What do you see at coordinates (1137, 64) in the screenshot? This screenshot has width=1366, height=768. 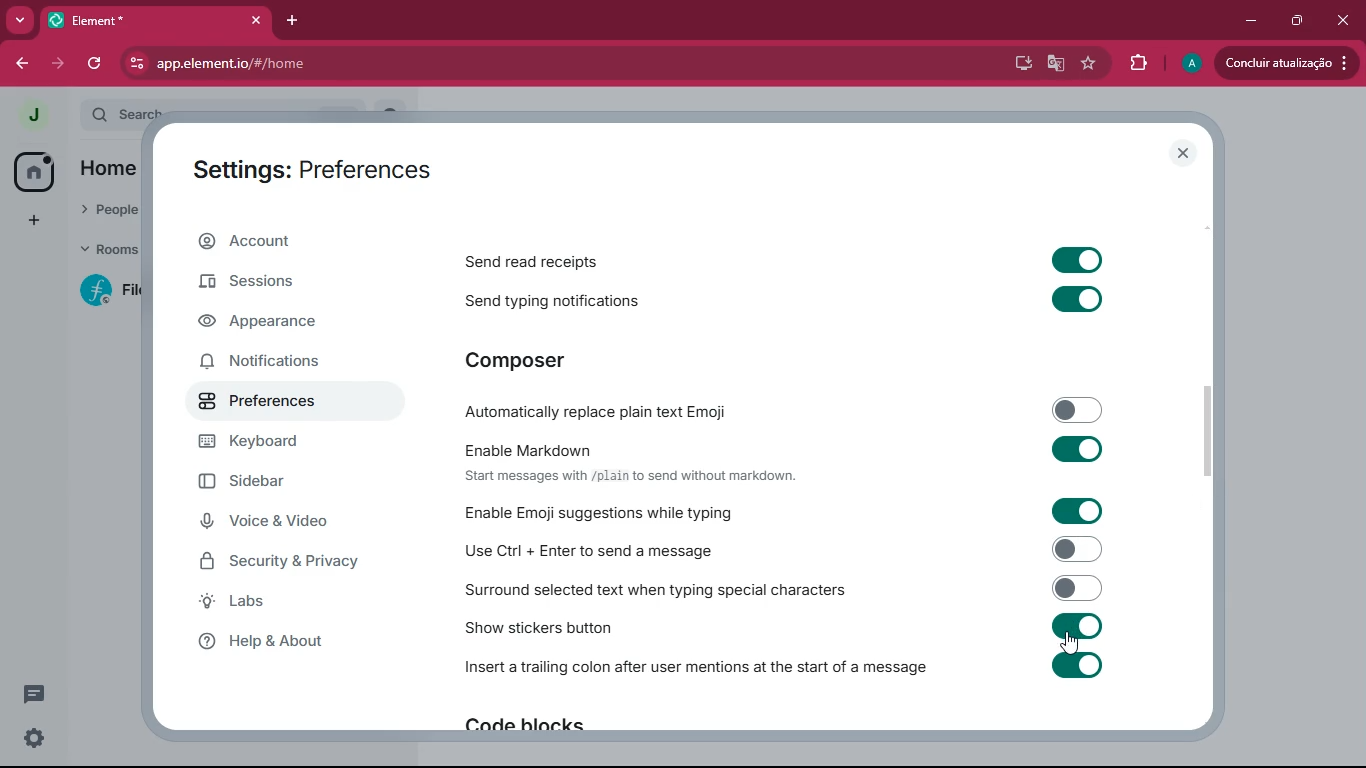 I see `extensions` at bounding box center [1137, 64].